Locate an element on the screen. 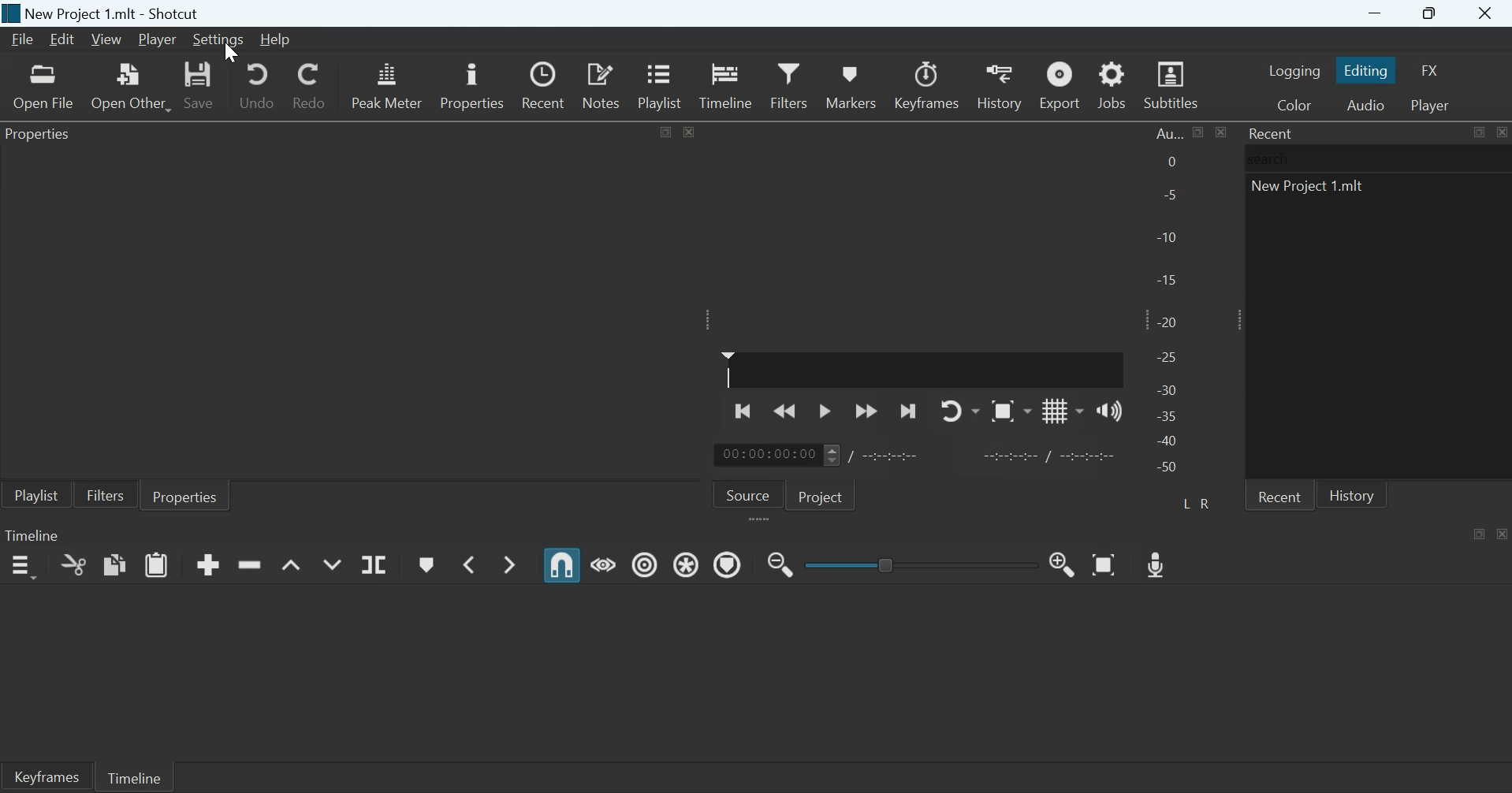 Image resolution: width=1512 pixels, height=793 pixels. Jobs is located at coordinates (1112, 84).